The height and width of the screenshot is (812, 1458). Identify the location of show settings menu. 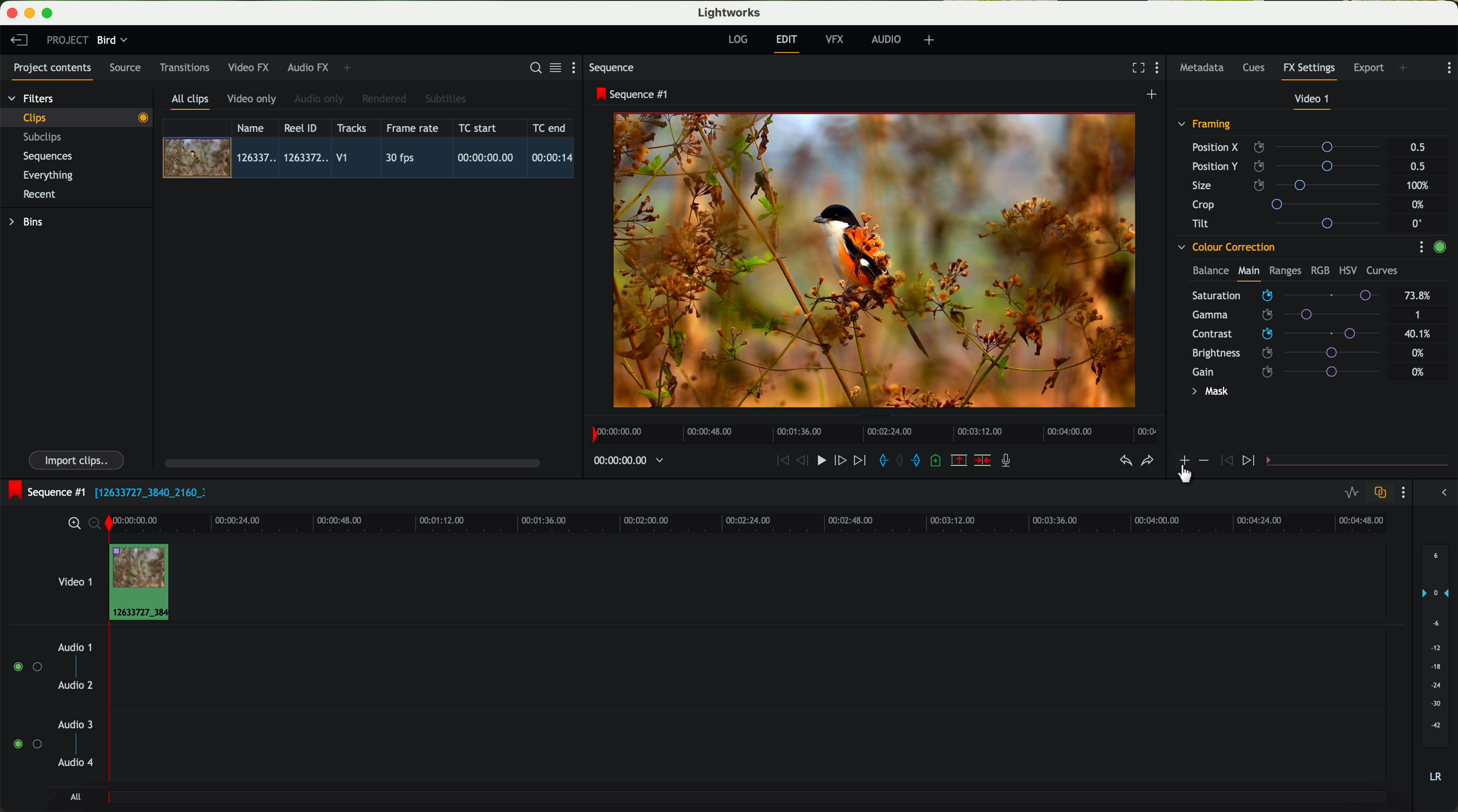
(1448, 68).